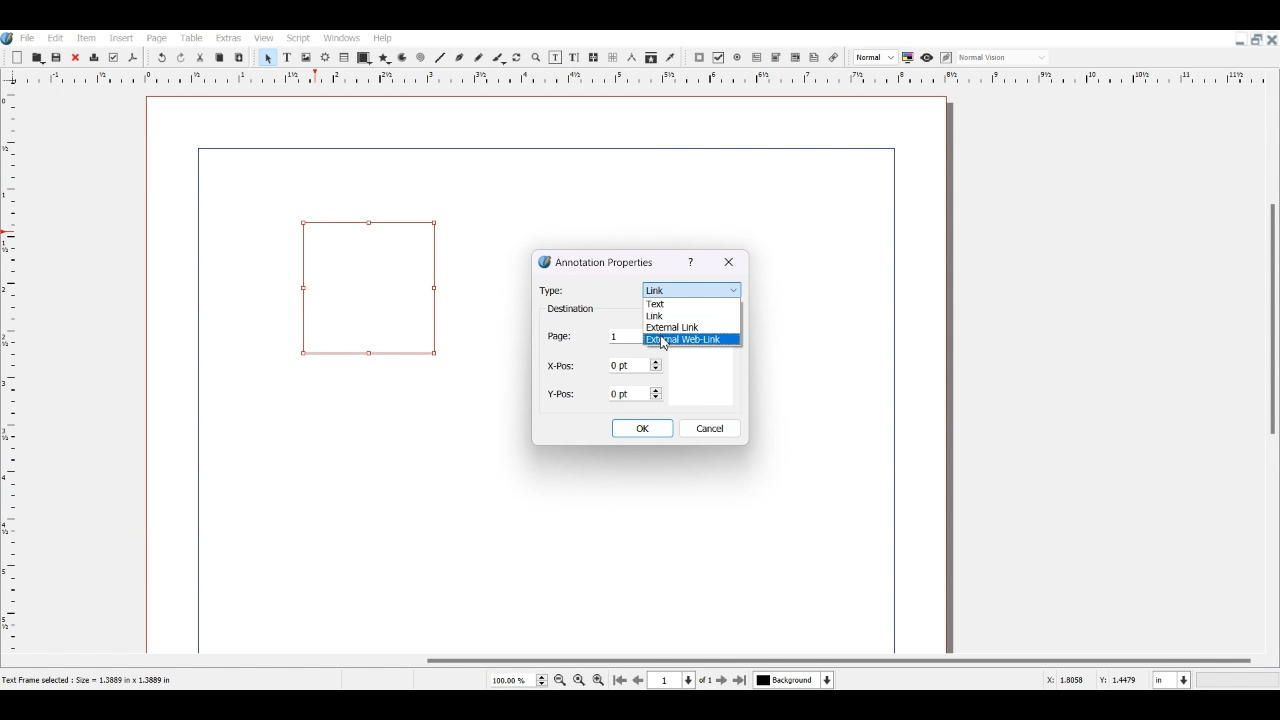 The image size is (1280, 720). I want to click on Link, so click(689, 289).